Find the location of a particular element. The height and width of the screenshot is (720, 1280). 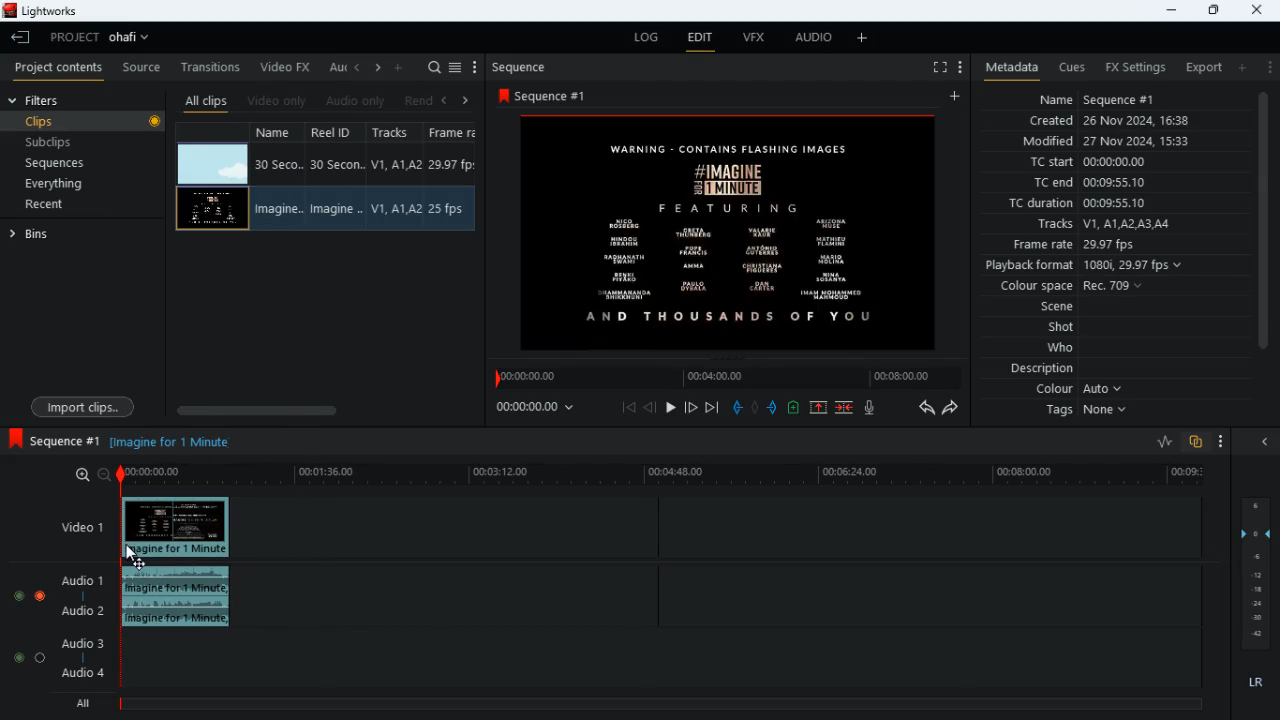

scroll is located at coordinates (1261, 234).